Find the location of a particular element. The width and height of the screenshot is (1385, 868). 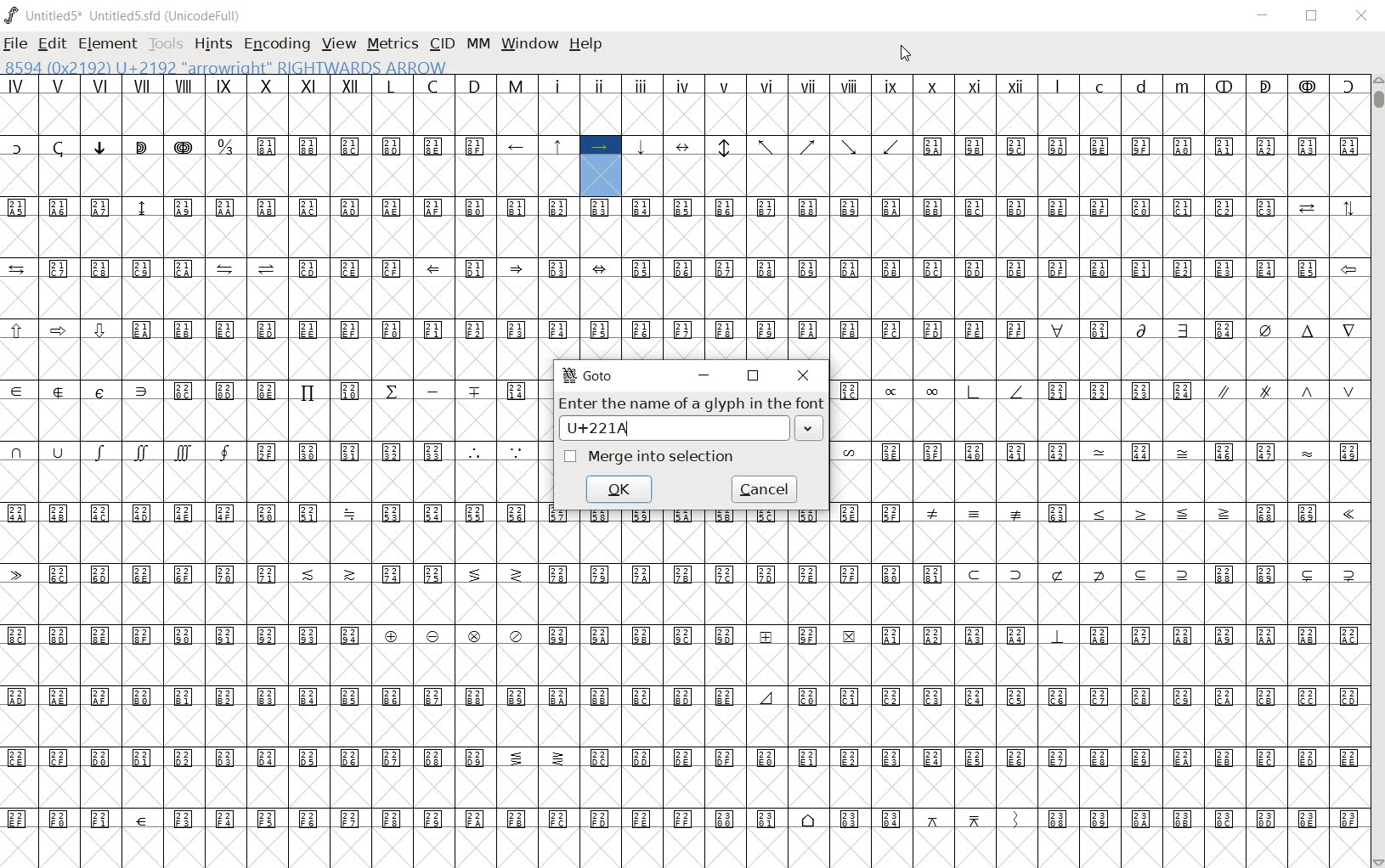

8594 (0x2192) U+2192 "arrowright" RIGHTWARDS ARROW is located at coordinates (226, 67).